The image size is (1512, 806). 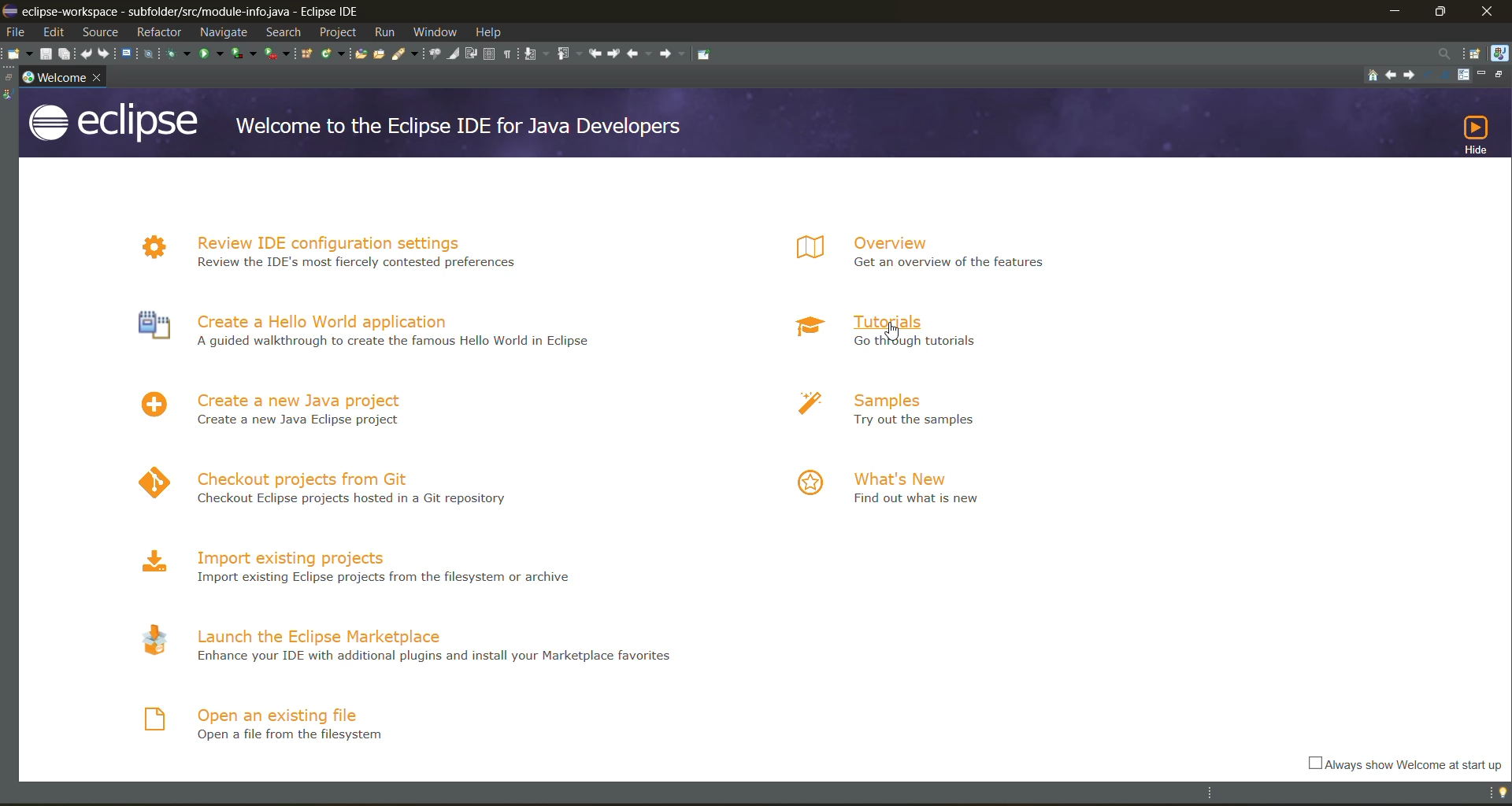 I want to click on create a new java project, so click(x=298, y=408).